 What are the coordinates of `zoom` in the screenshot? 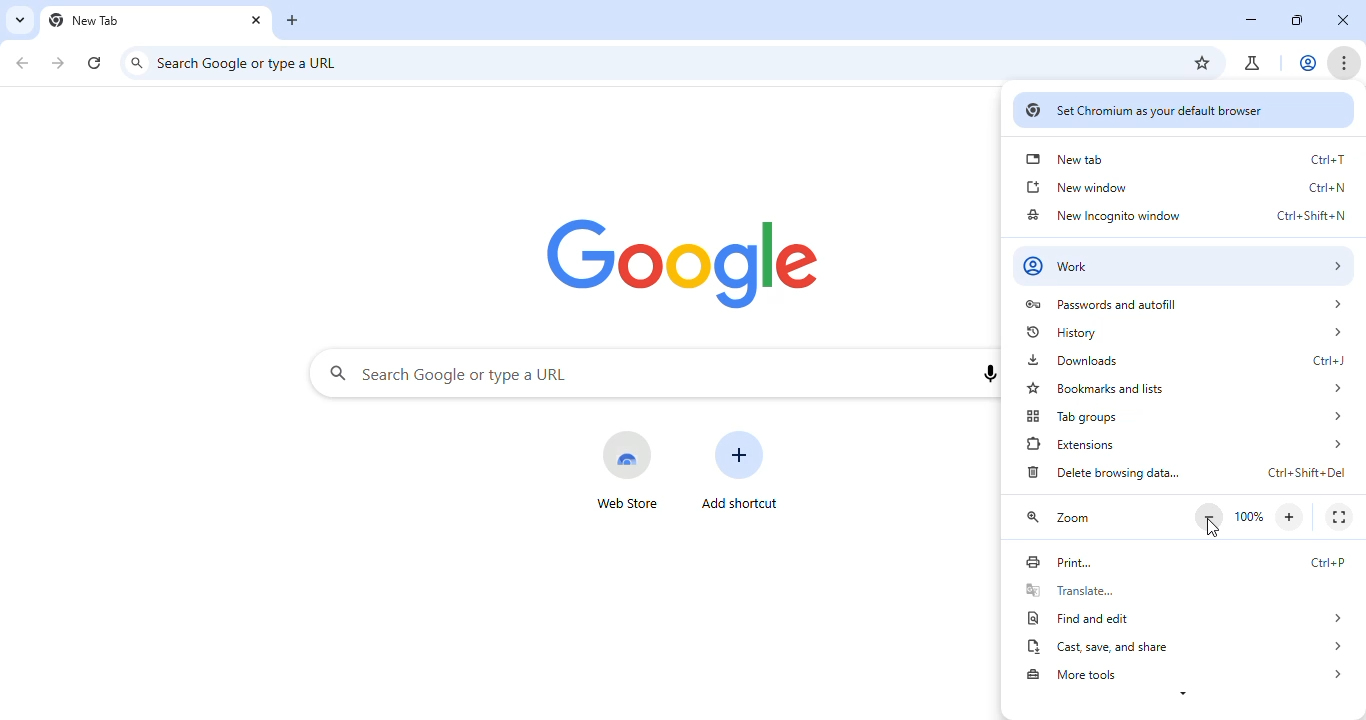 It's located at (1169, 63).